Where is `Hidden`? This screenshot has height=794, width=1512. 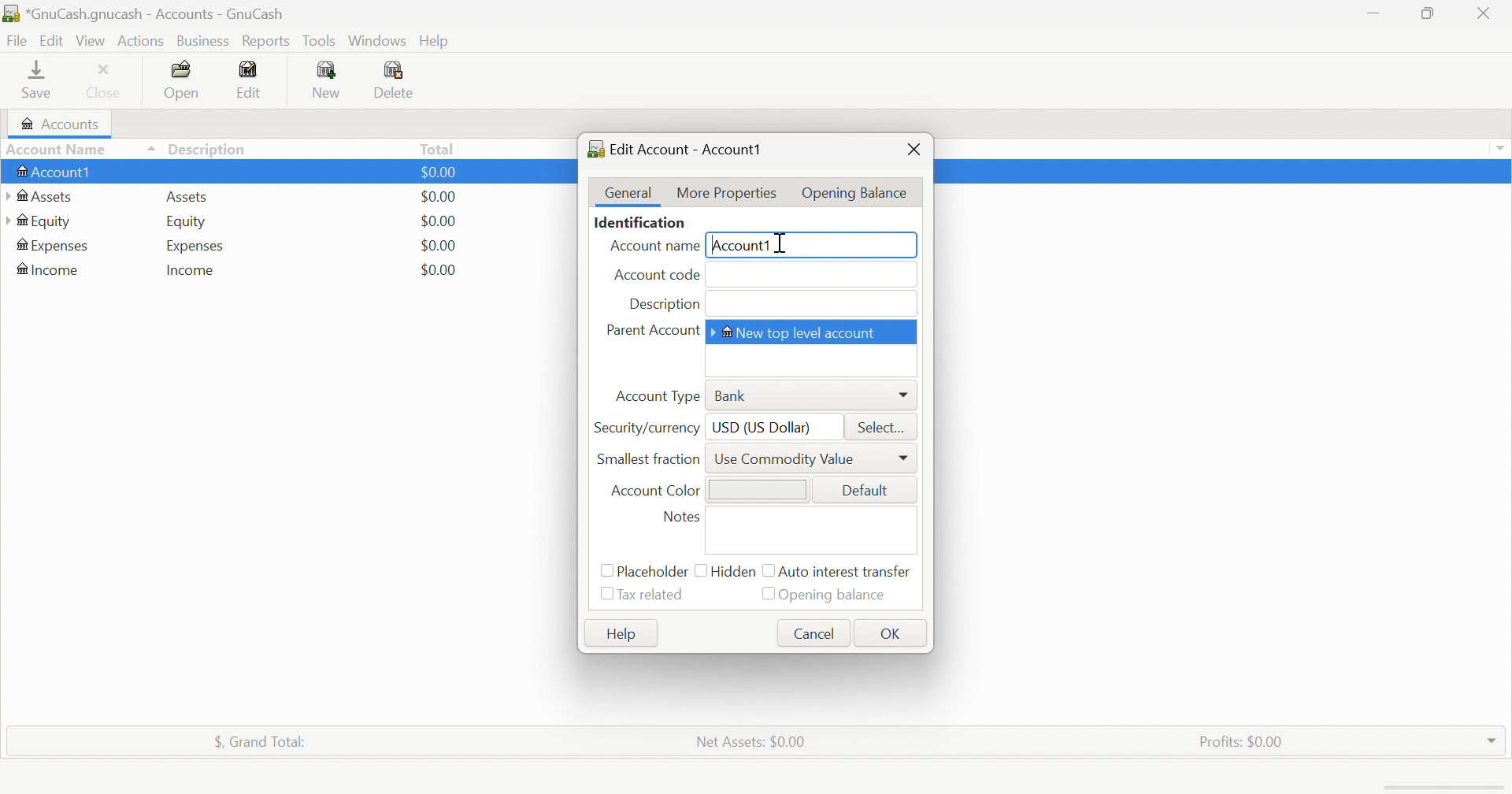
Hidden is located at coordinates (727, 570).